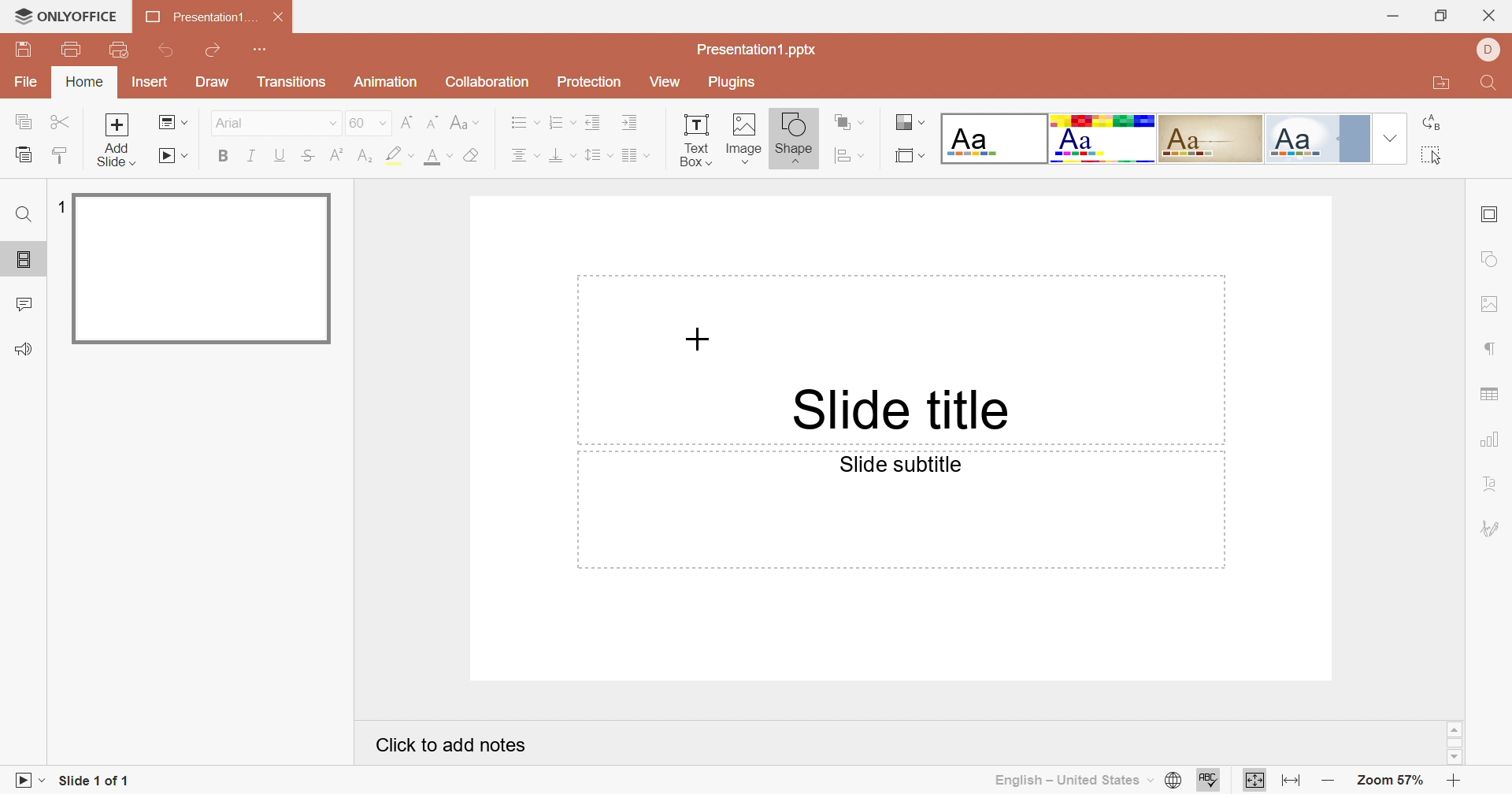  Describe the element at coordinates (282, 17) in the screenshot. I see `Close` at that location.